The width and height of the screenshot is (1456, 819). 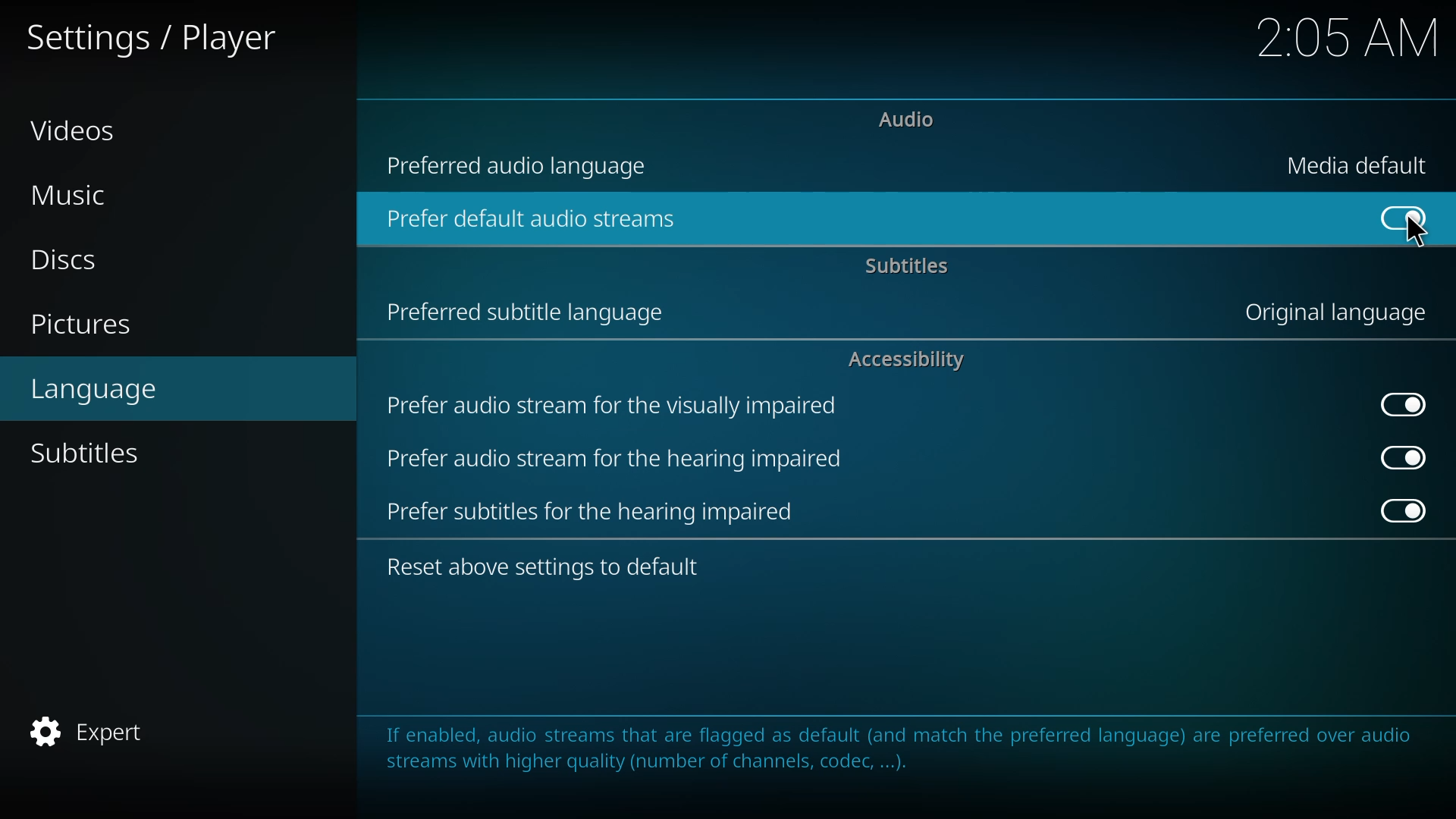 I want to click on reset to default, so click(x=551, y=565).